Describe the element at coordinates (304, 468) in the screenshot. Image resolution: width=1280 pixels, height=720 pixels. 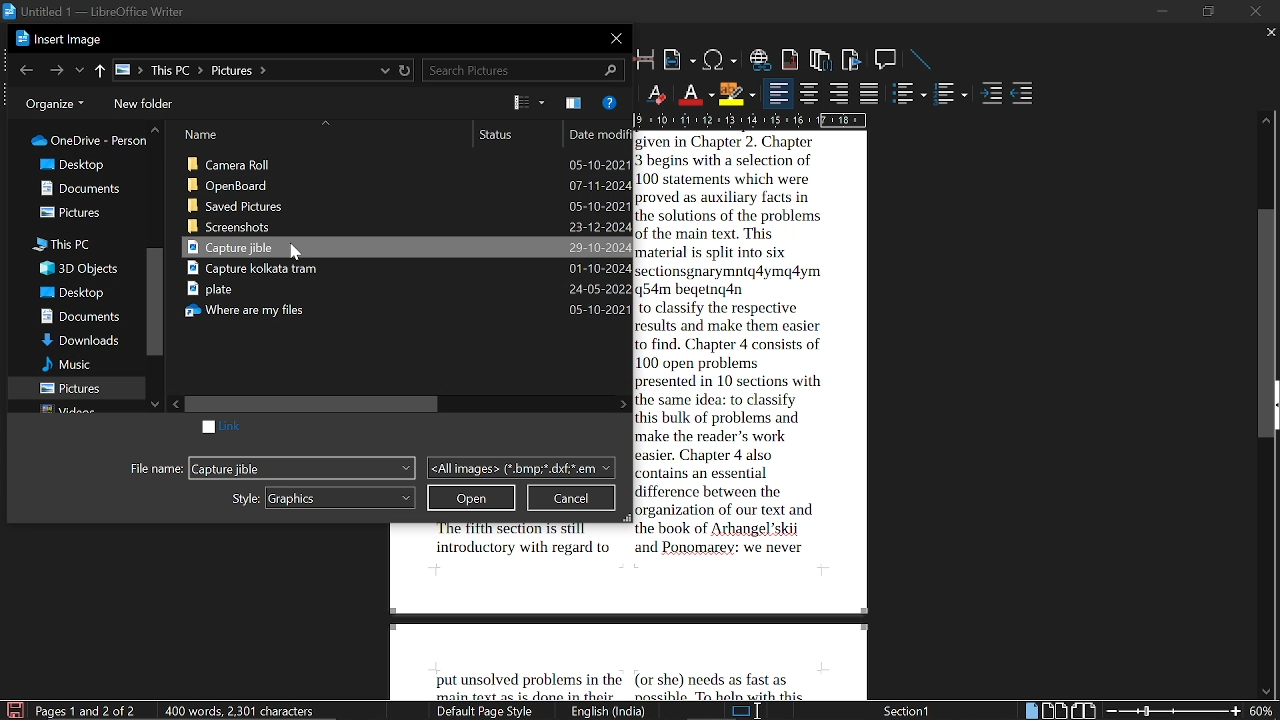
I see `Capture Jible` at that location.